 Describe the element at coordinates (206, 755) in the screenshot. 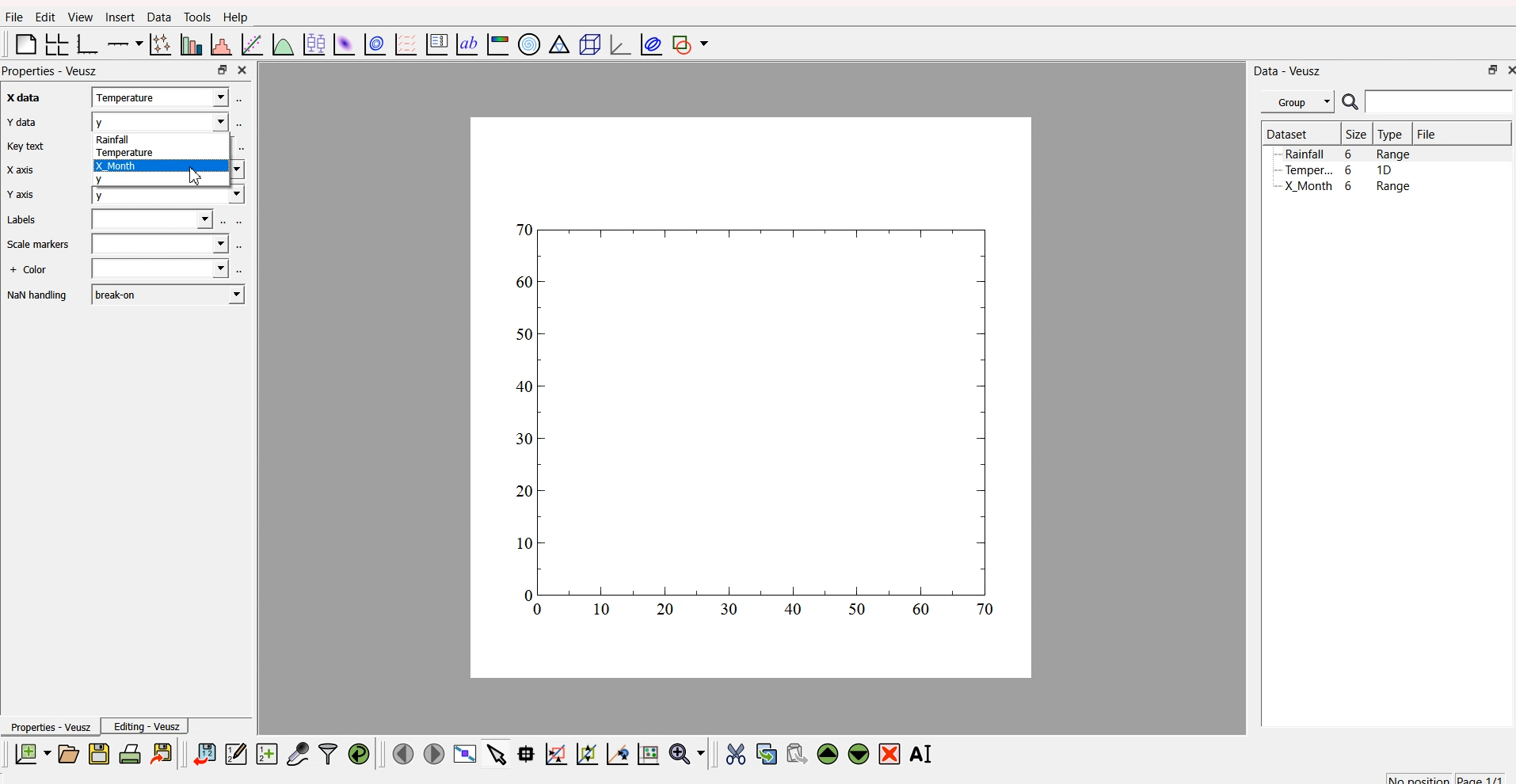

I see `import data` at that location.